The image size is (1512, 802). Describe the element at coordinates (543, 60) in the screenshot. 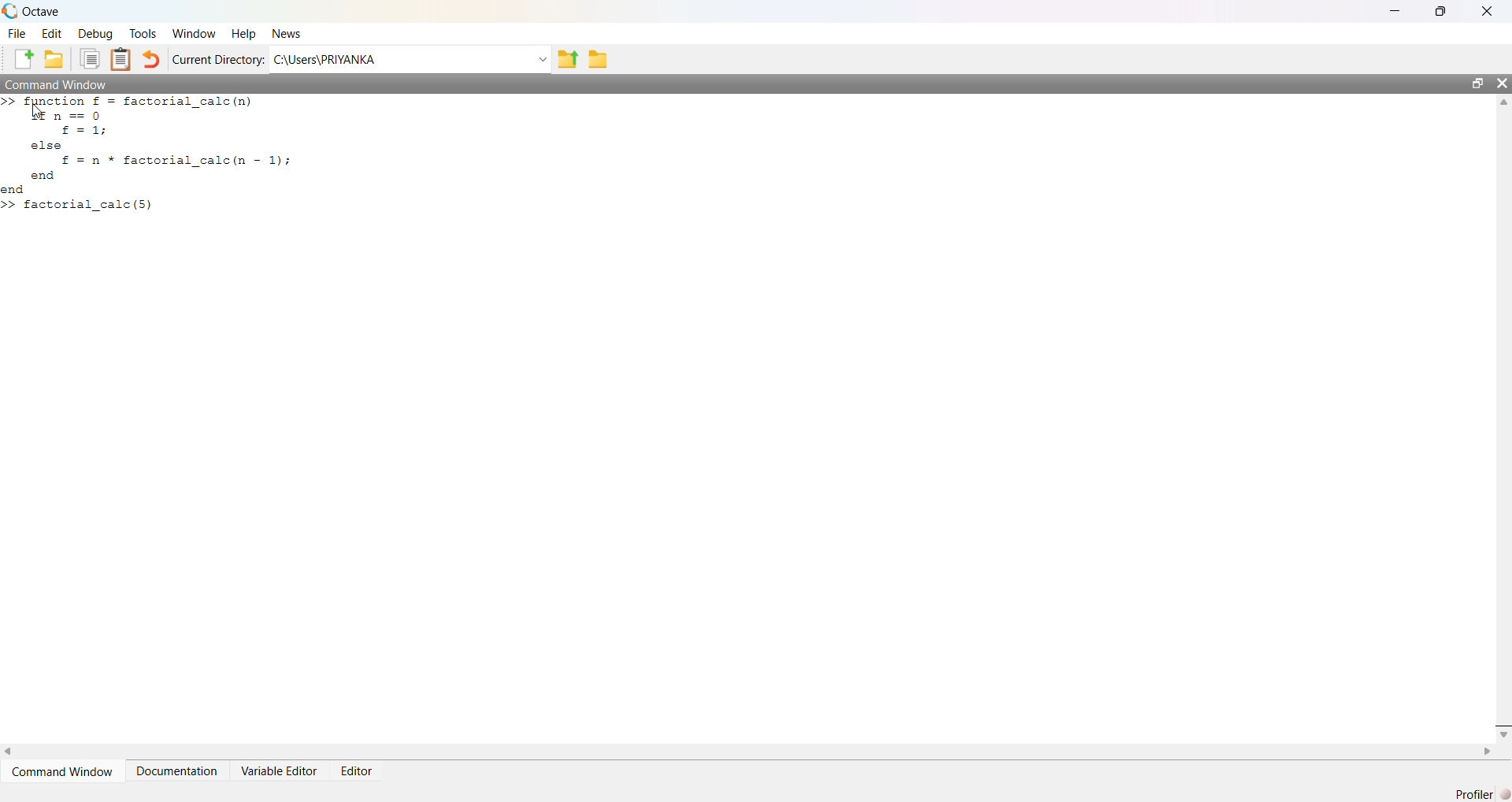

I see `Drop-down ` at that location.